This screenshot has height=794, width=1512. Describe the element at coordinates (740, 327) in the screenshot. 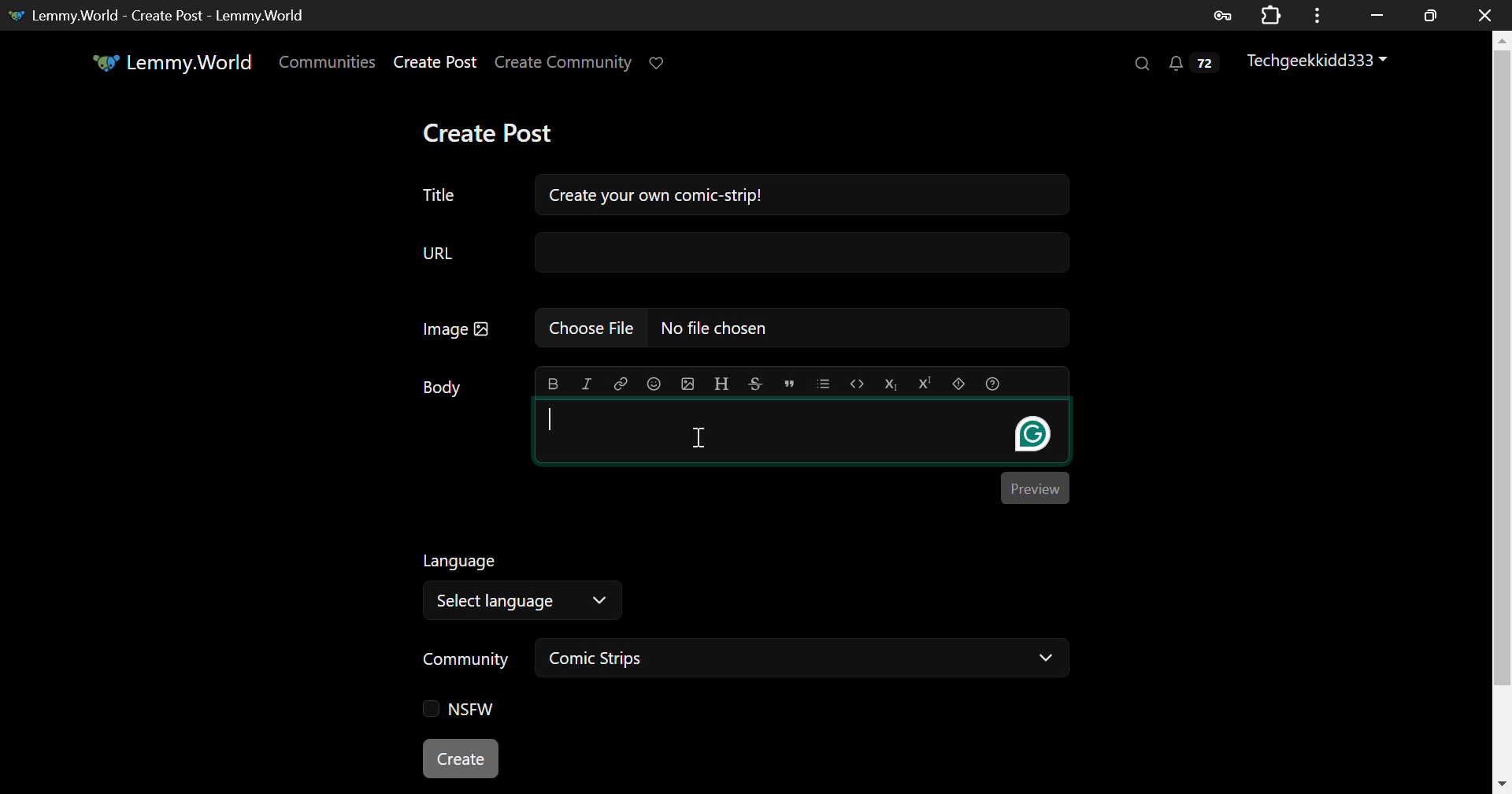

I see `Image Field` at that location.